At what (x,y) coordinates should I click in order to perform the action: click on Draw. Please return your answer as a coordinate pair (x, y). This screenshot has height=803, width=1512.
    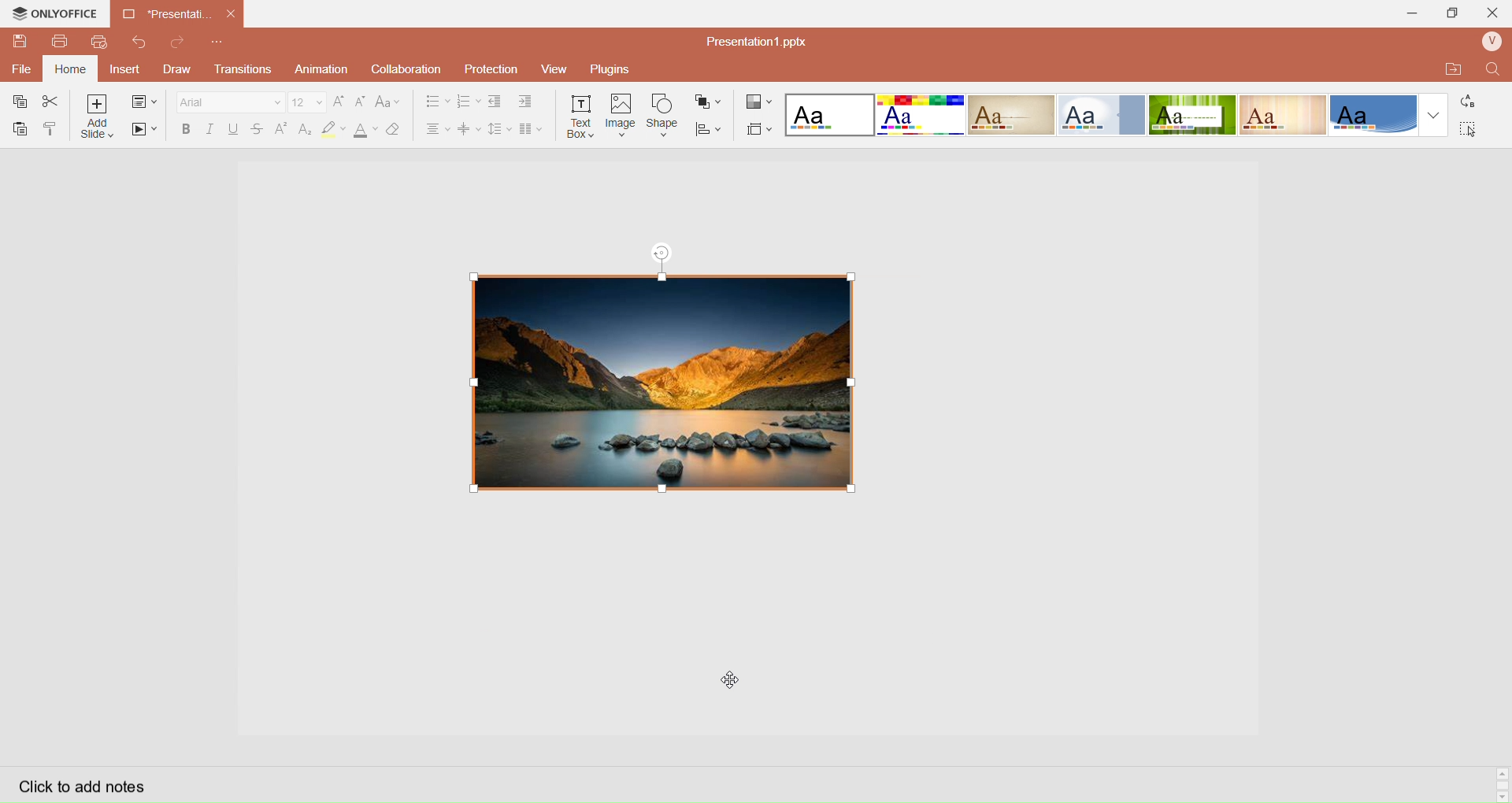
    Looking at the image, I should click on (177, 70).